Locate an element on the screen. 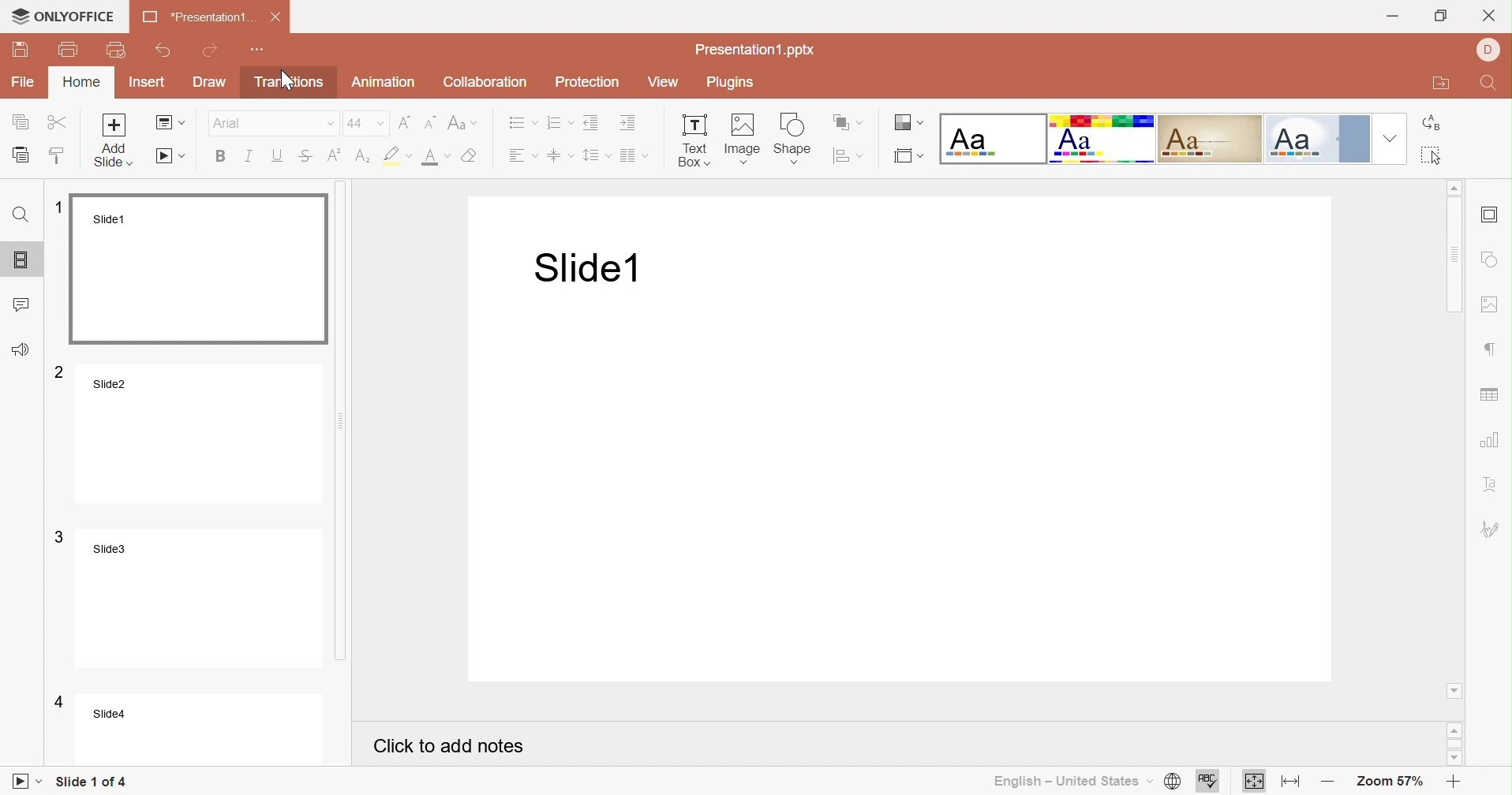 This screenshot has height=795, width=1512. Insert chart is located at coordinates (1492, 391).